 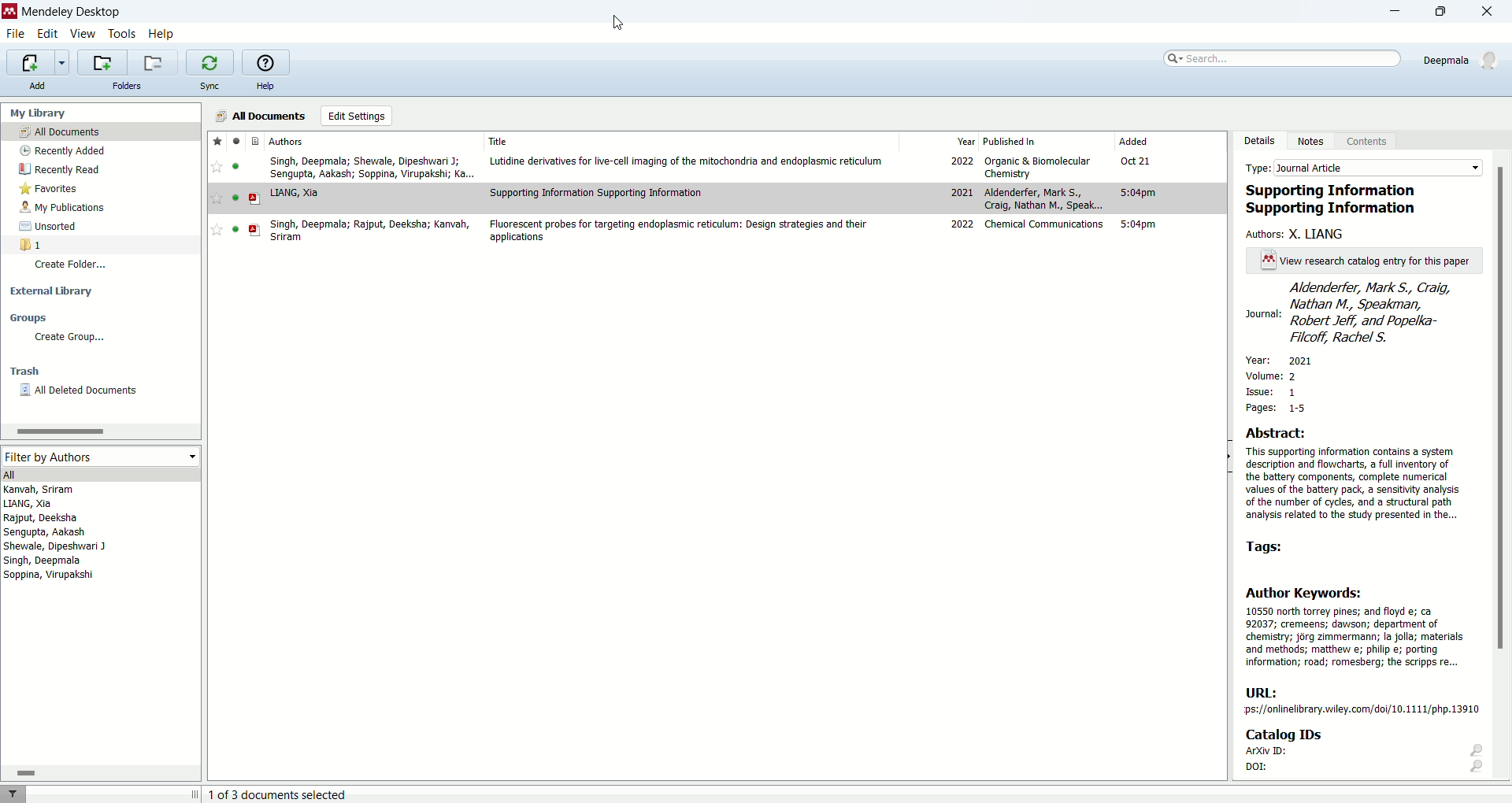 What do you see at coordinates (498, 141) in the screenshot?
I see `title` at bounding box center [498, 141].